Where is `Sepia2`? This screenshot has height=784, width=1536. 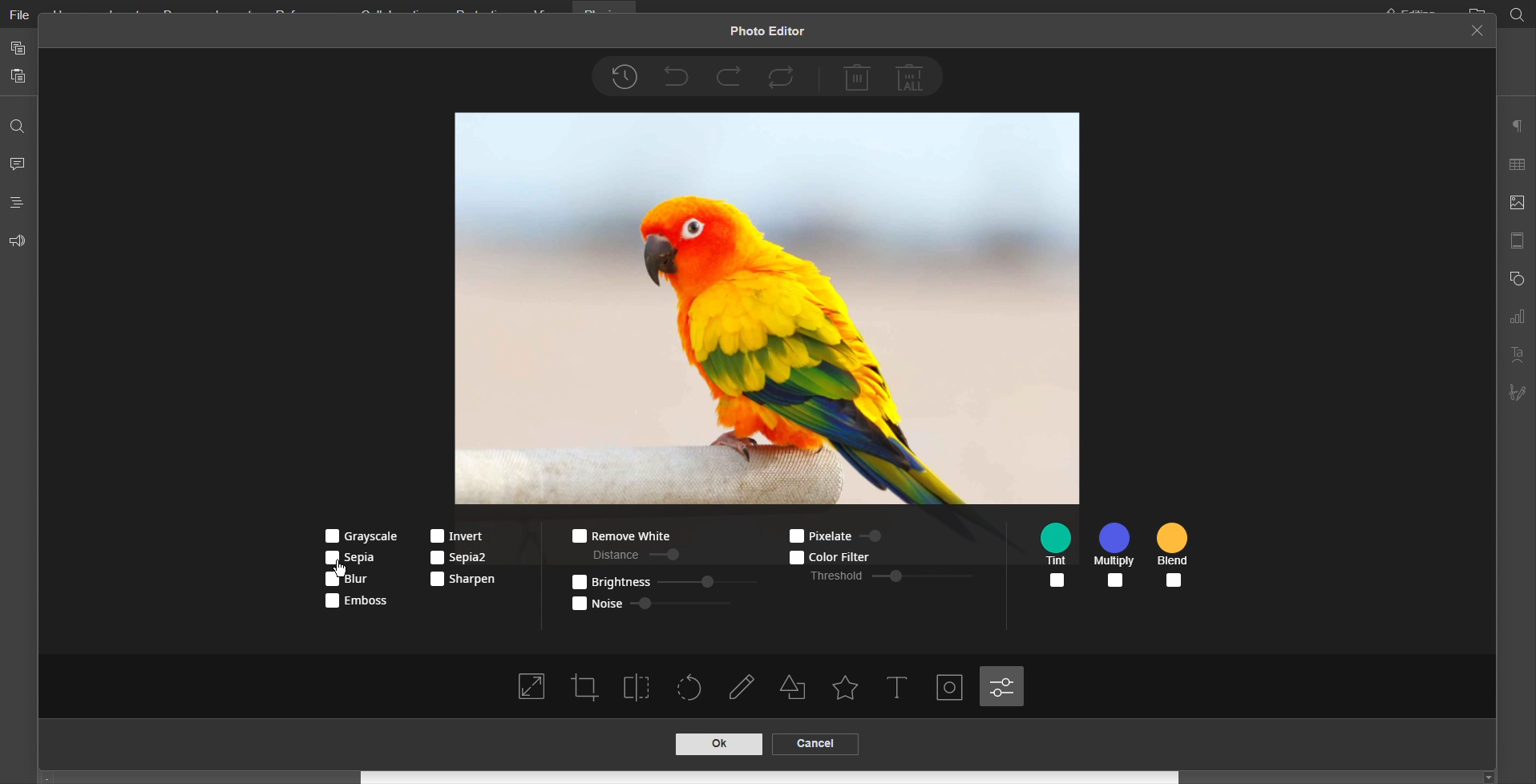
Sepia2 is located at coordinates (459, 558).